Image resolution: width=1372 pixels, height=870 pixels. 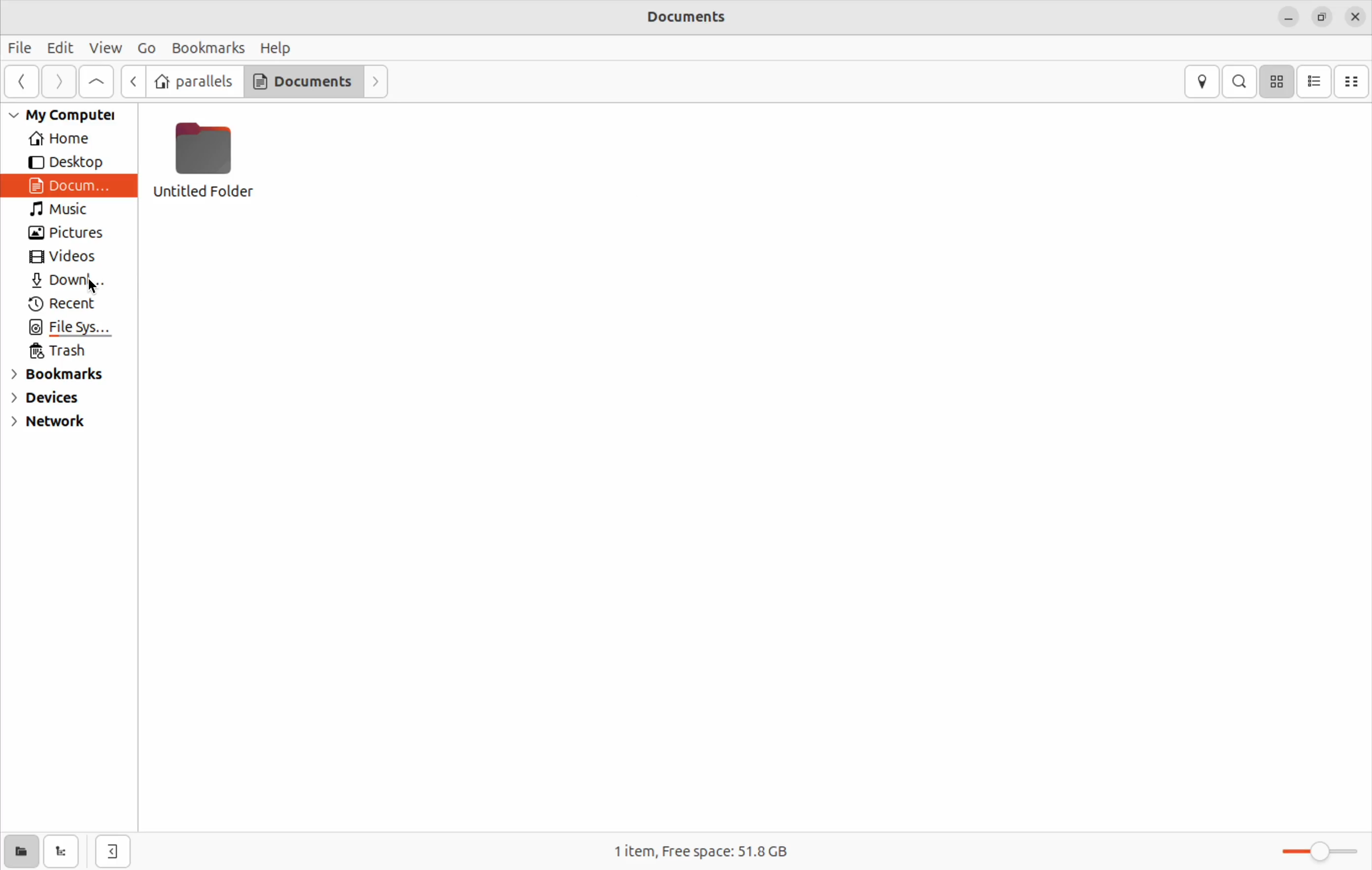 I want to click on toggle zoom, so click(x=1314, y=851).